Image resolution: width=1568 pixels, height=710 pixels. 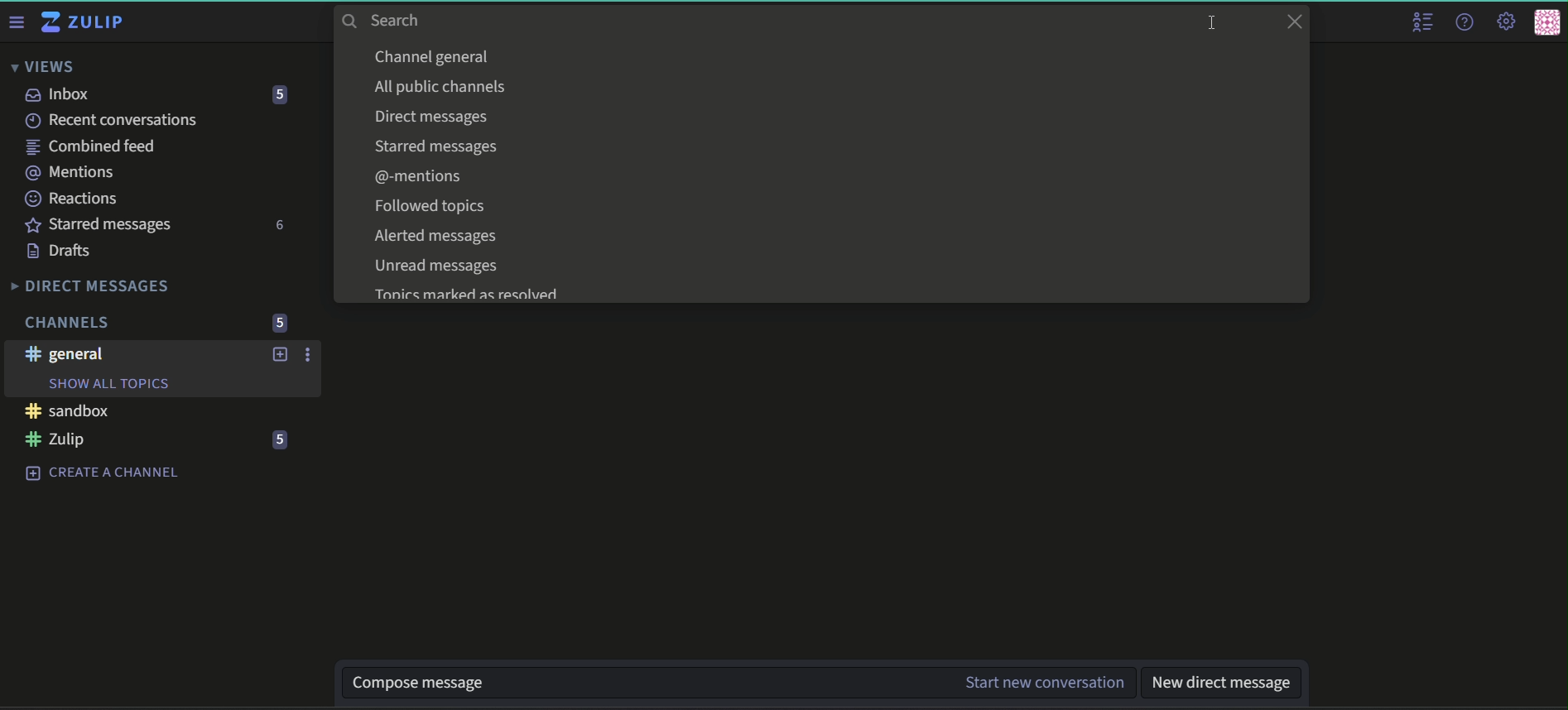 What do you see at coordinates (310, 356) in the screenshot?
I see `options` at bounding box center [310, 356].